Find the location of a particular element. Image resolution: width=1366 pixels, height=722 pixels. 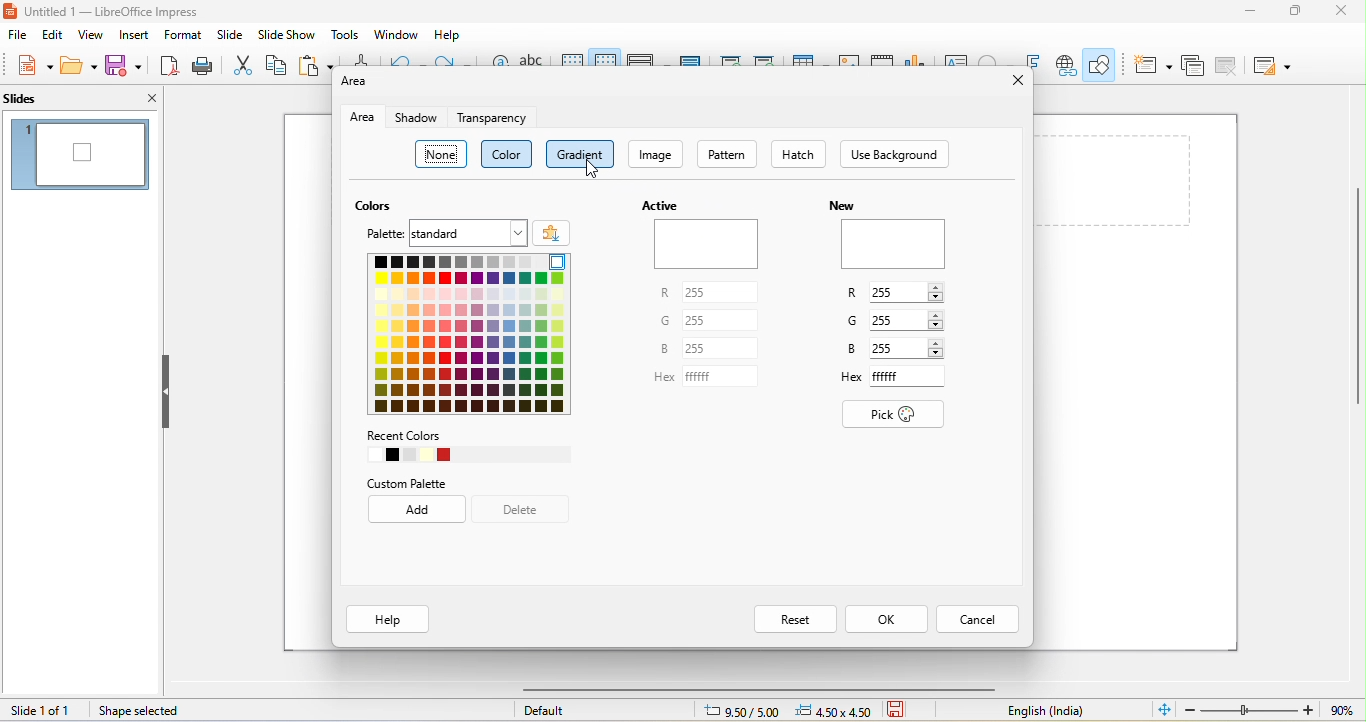

tools is located at coordinates (346, 34).